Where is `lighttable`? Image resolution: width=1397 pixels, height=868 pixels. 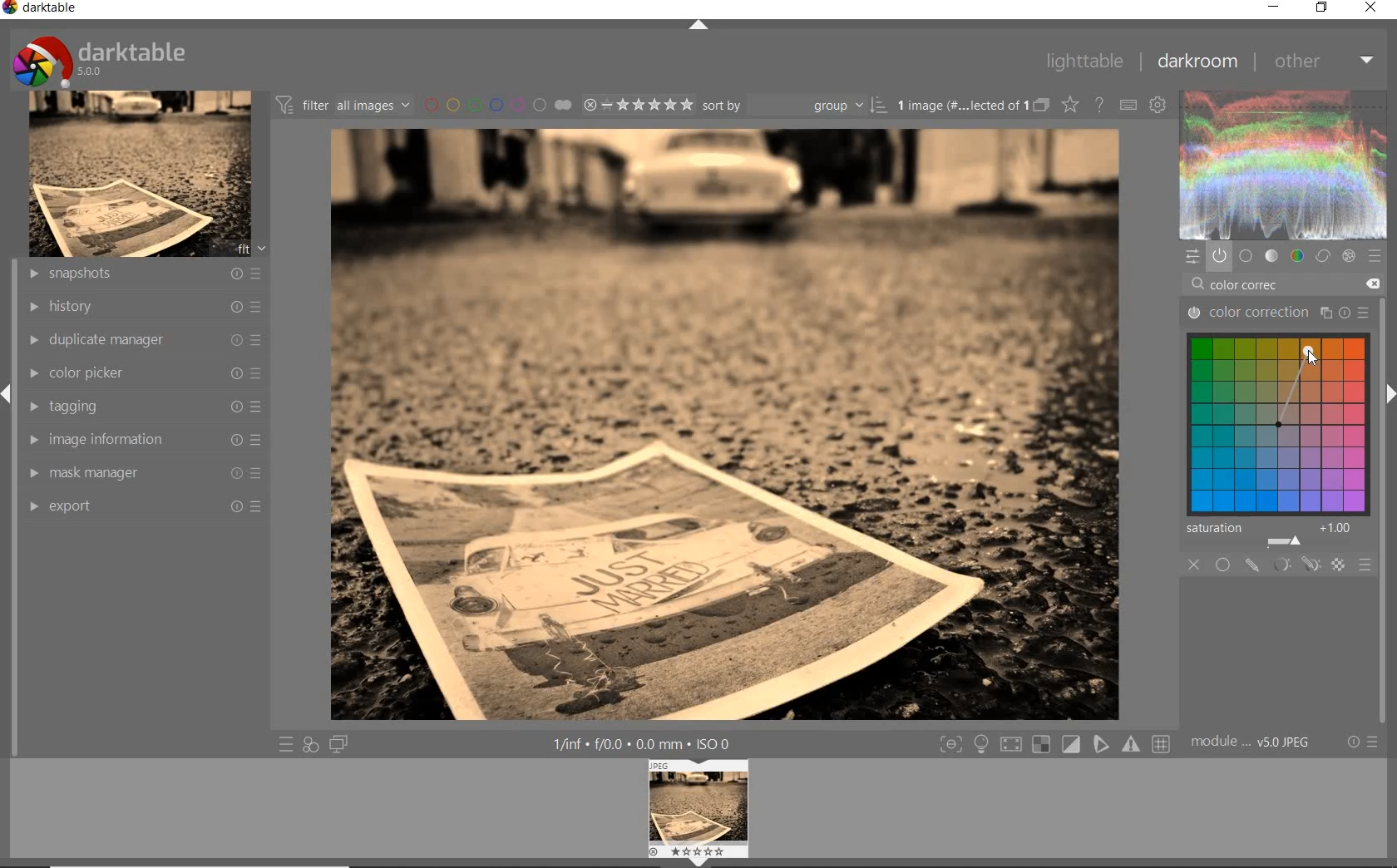 lighttable is located at coordinates (1085, 62).